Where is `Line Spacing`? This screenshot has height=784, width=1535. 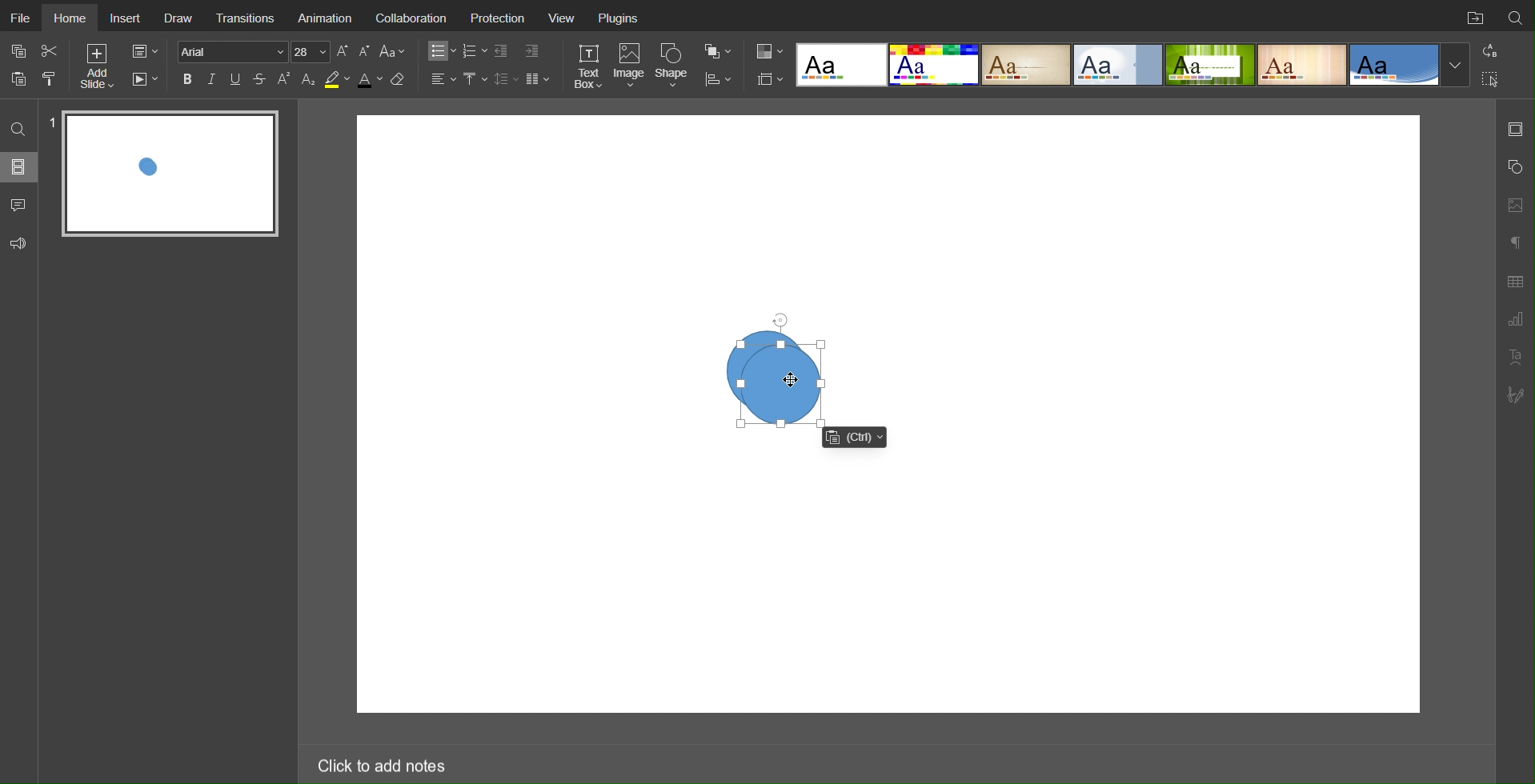 Line Spacing is located at coordinates (506, 78).